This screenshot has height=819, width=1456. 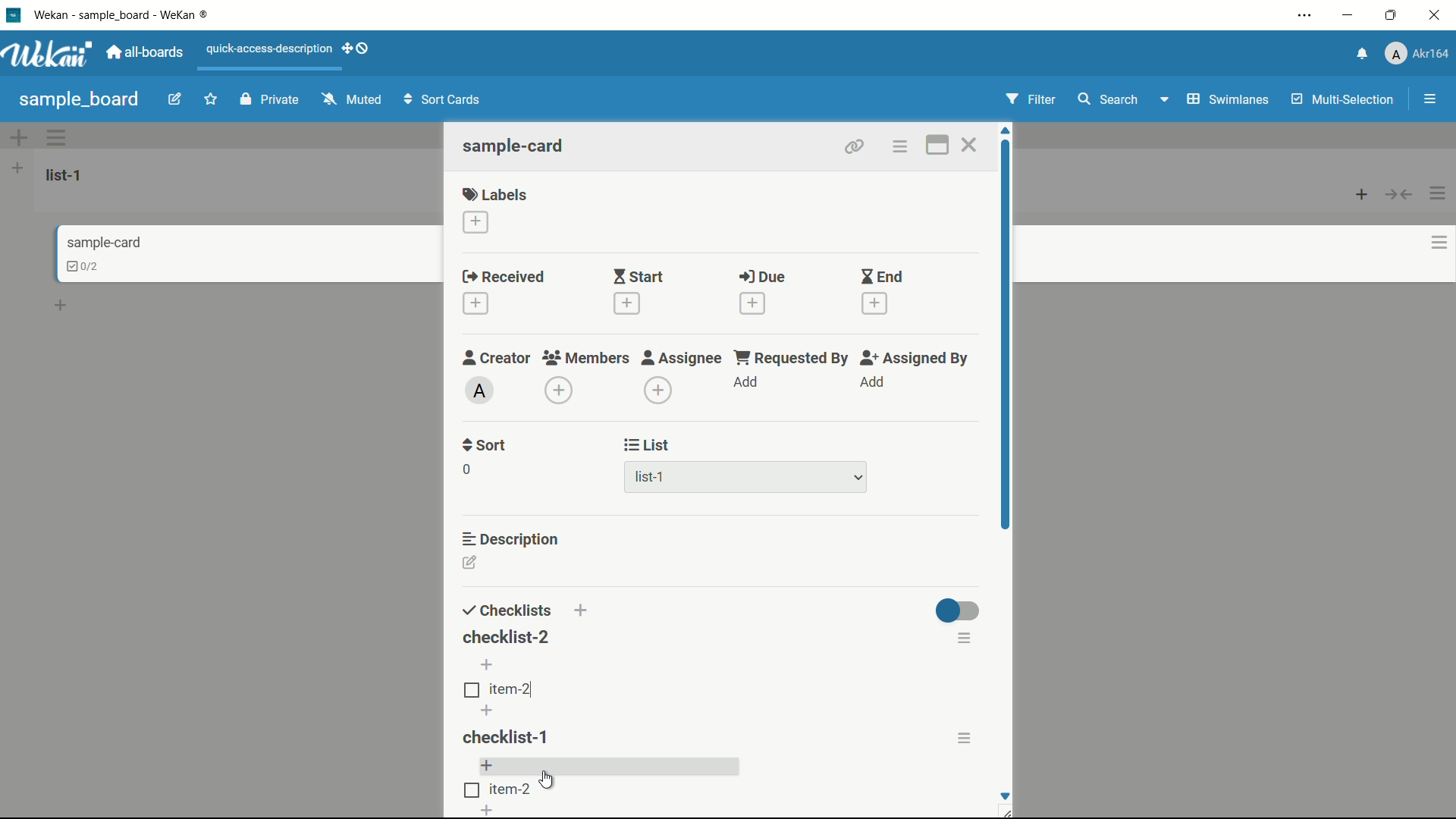 What do you see at coordinates (480, 391) in the screenshot?
I see `admin` at bounding box center [480, 391].